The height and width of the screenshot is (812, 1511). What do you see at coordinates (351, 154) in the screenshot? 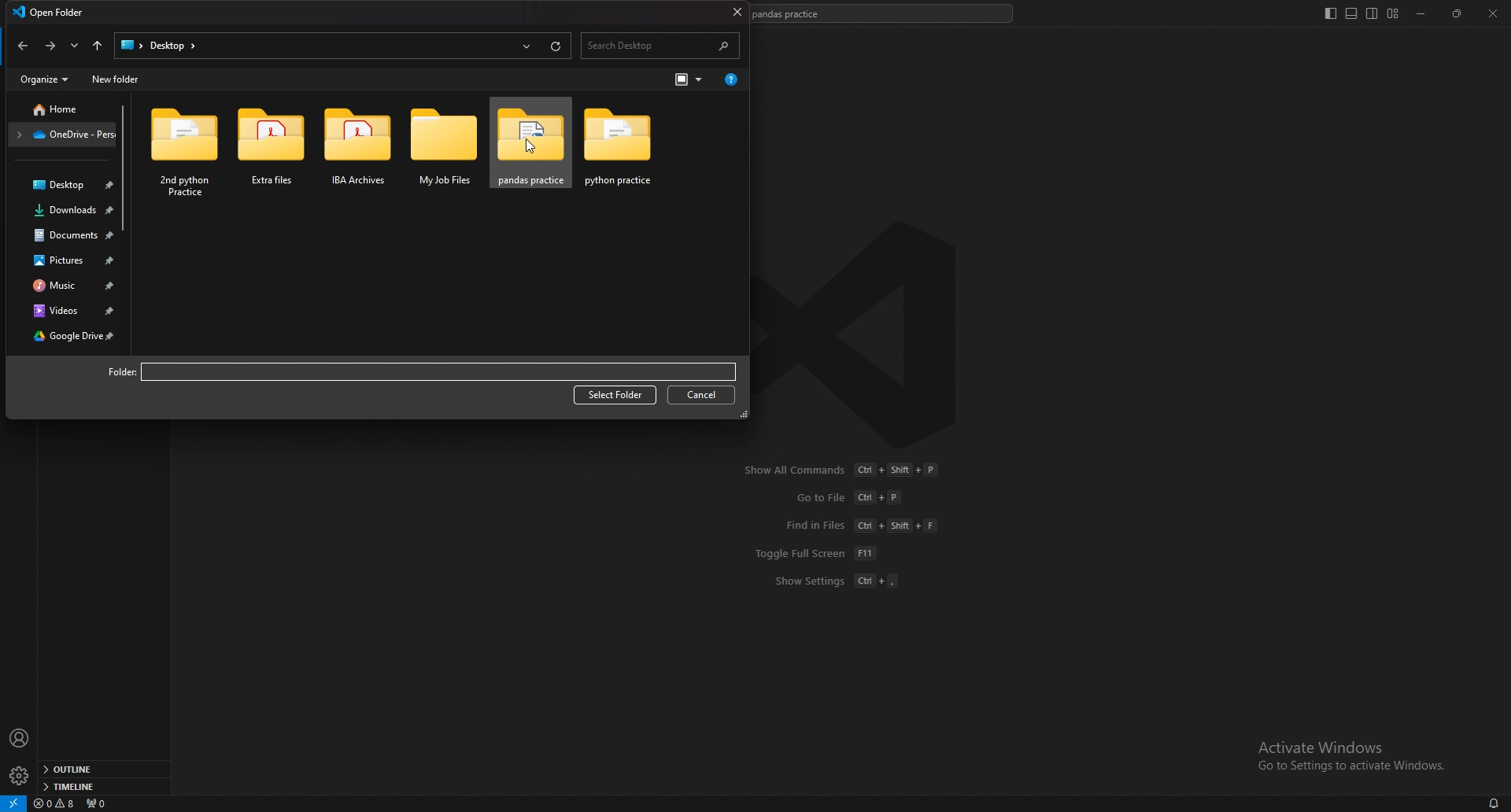
I see `iba archives` at bounding box center [351, 154].